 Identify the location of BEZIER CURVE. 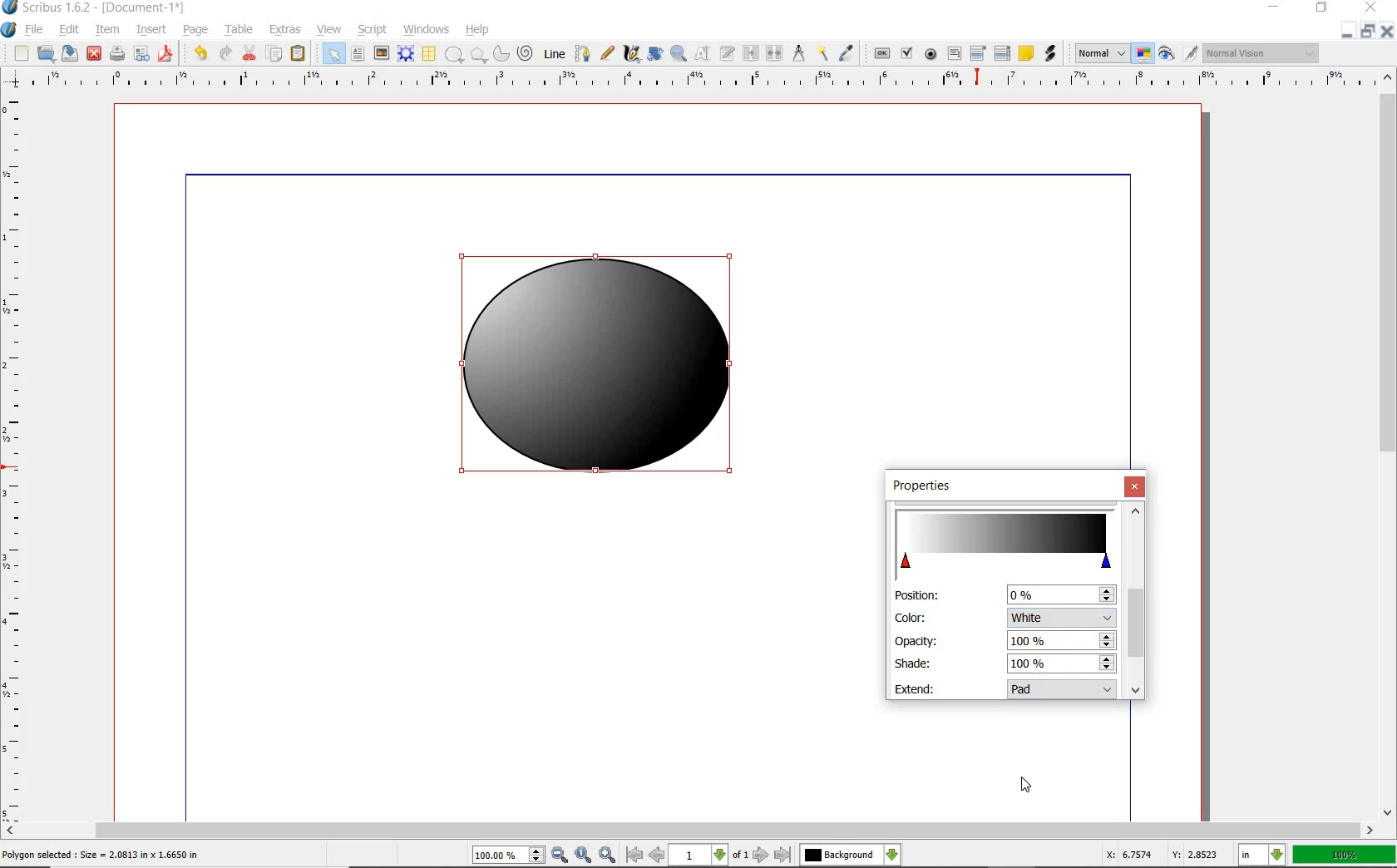
(583, 53).